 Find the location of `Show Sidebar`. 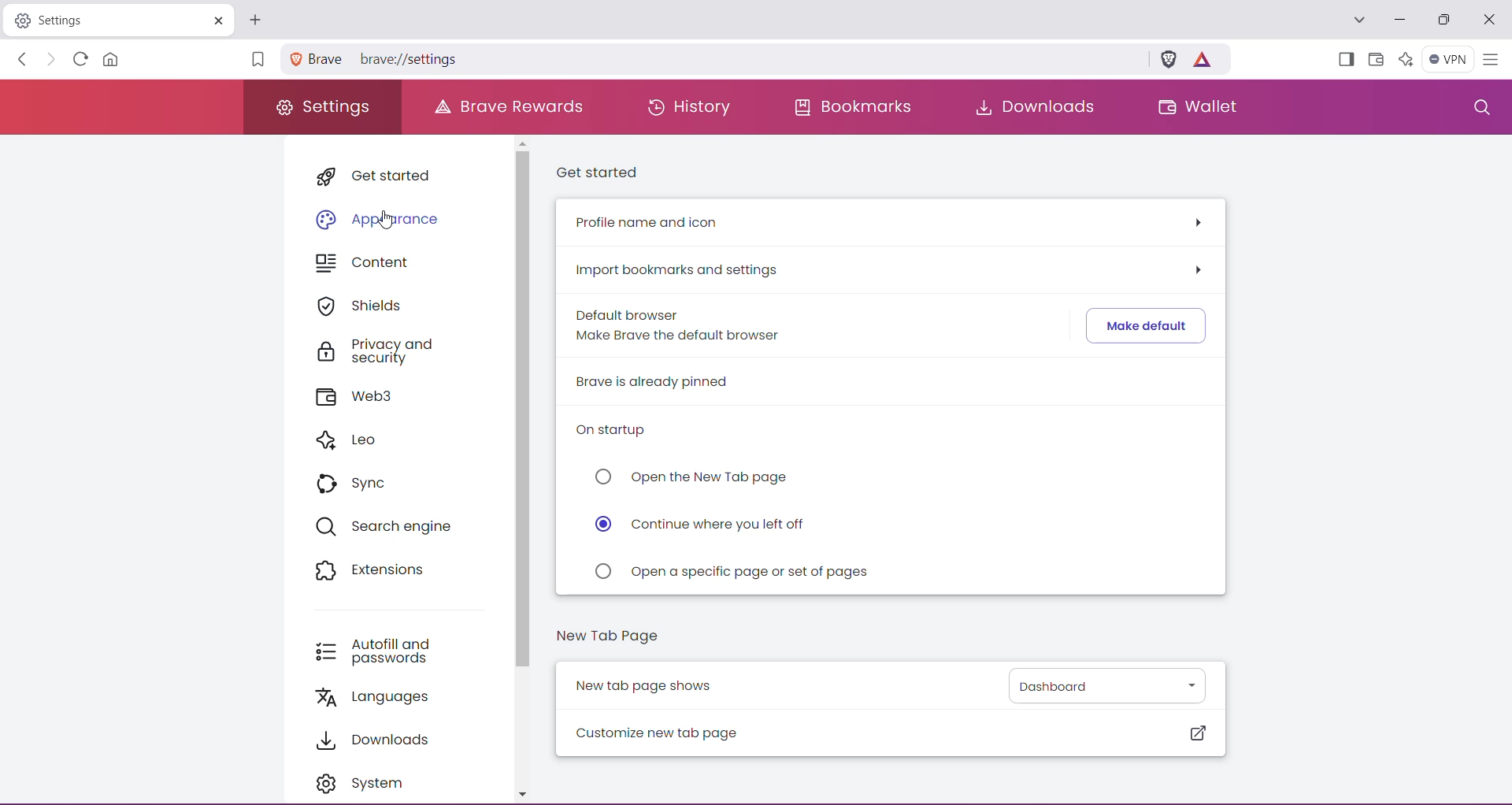

Show Sidebar is located at coordinates (1344, 61).